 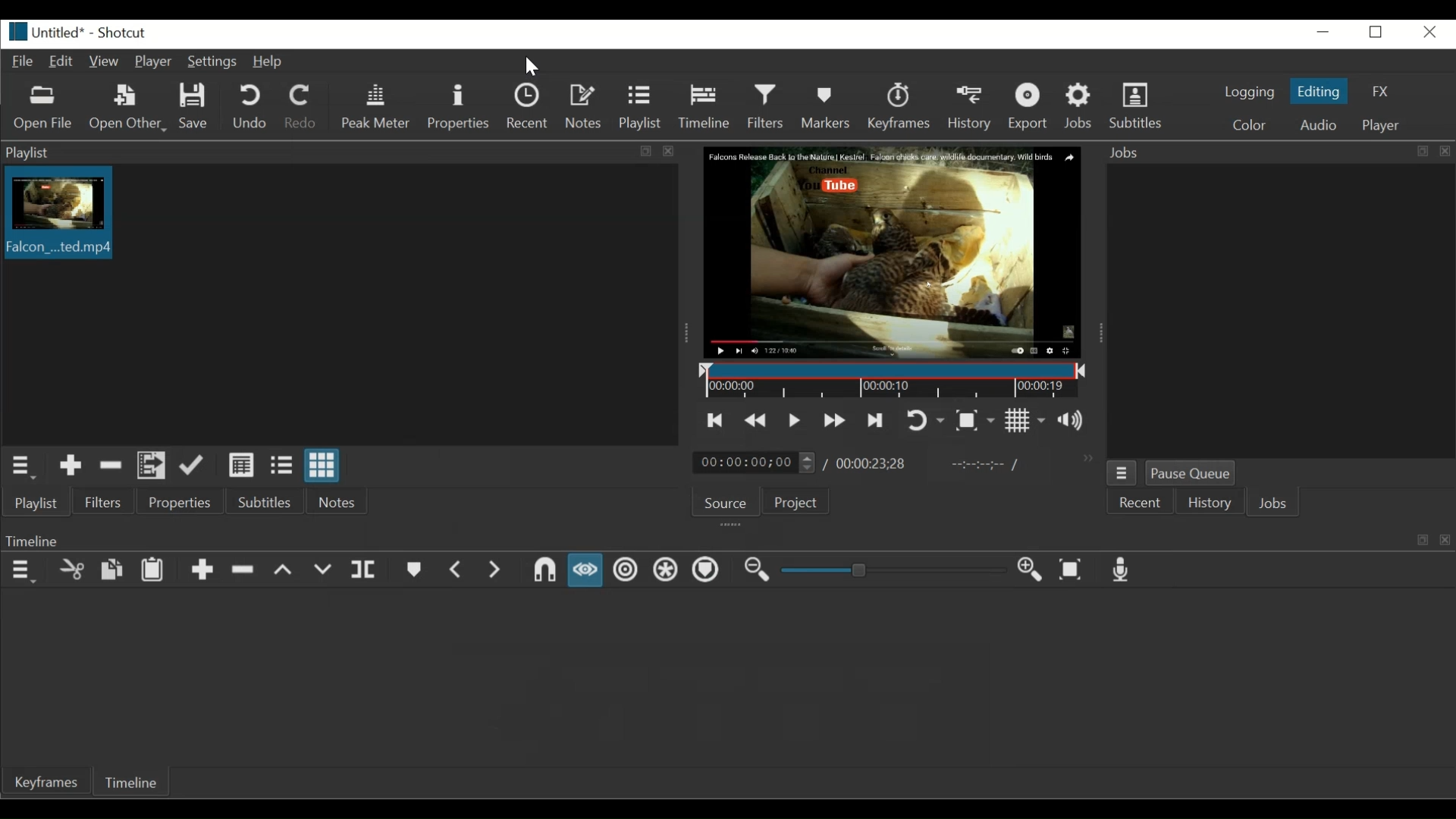 I want to click on Save, so click(x=193, y=106).